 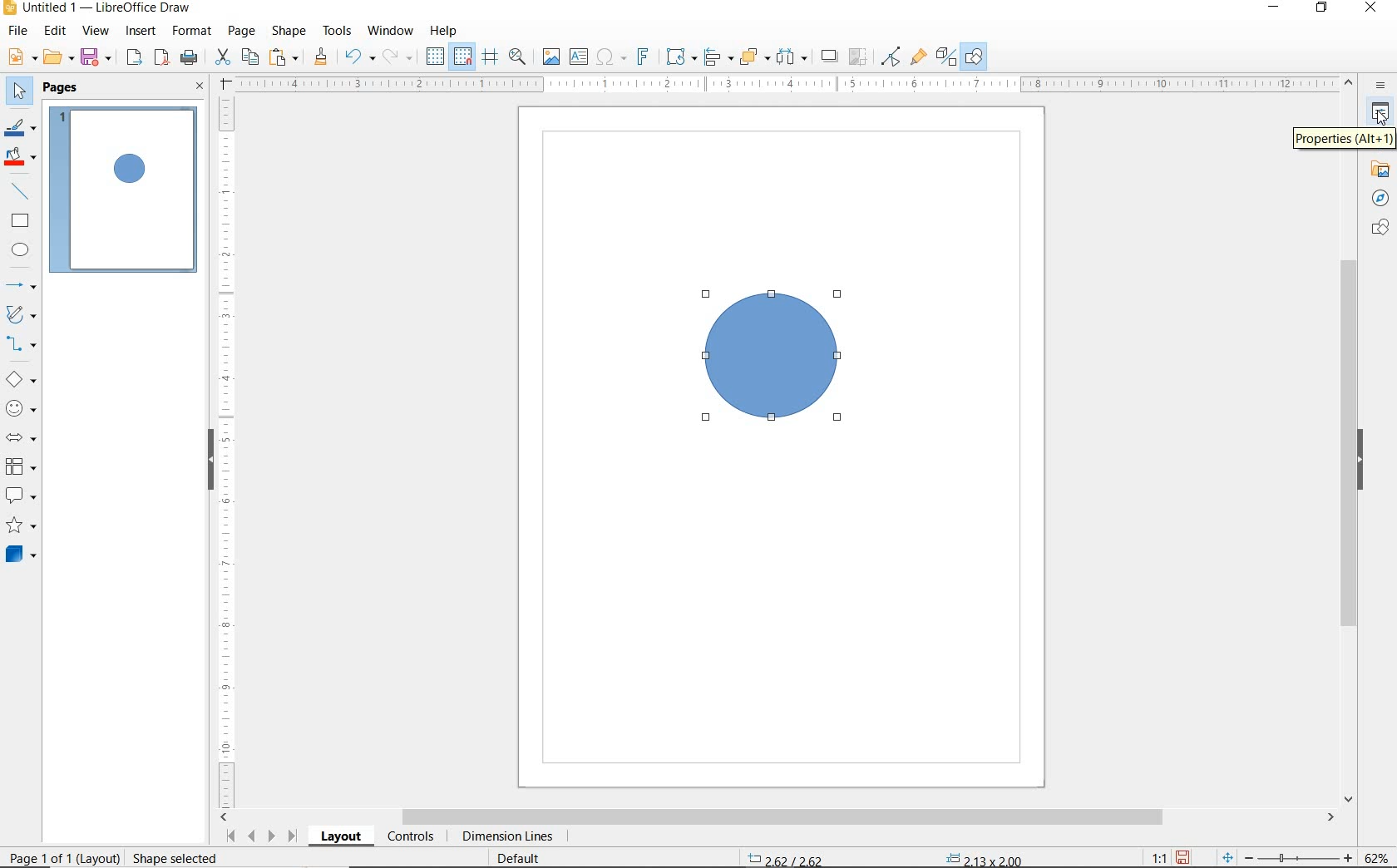 What do you see at coordinates (338, 32) in the screenshot?
I see `TOOLS` at bounding box center [338, 32].